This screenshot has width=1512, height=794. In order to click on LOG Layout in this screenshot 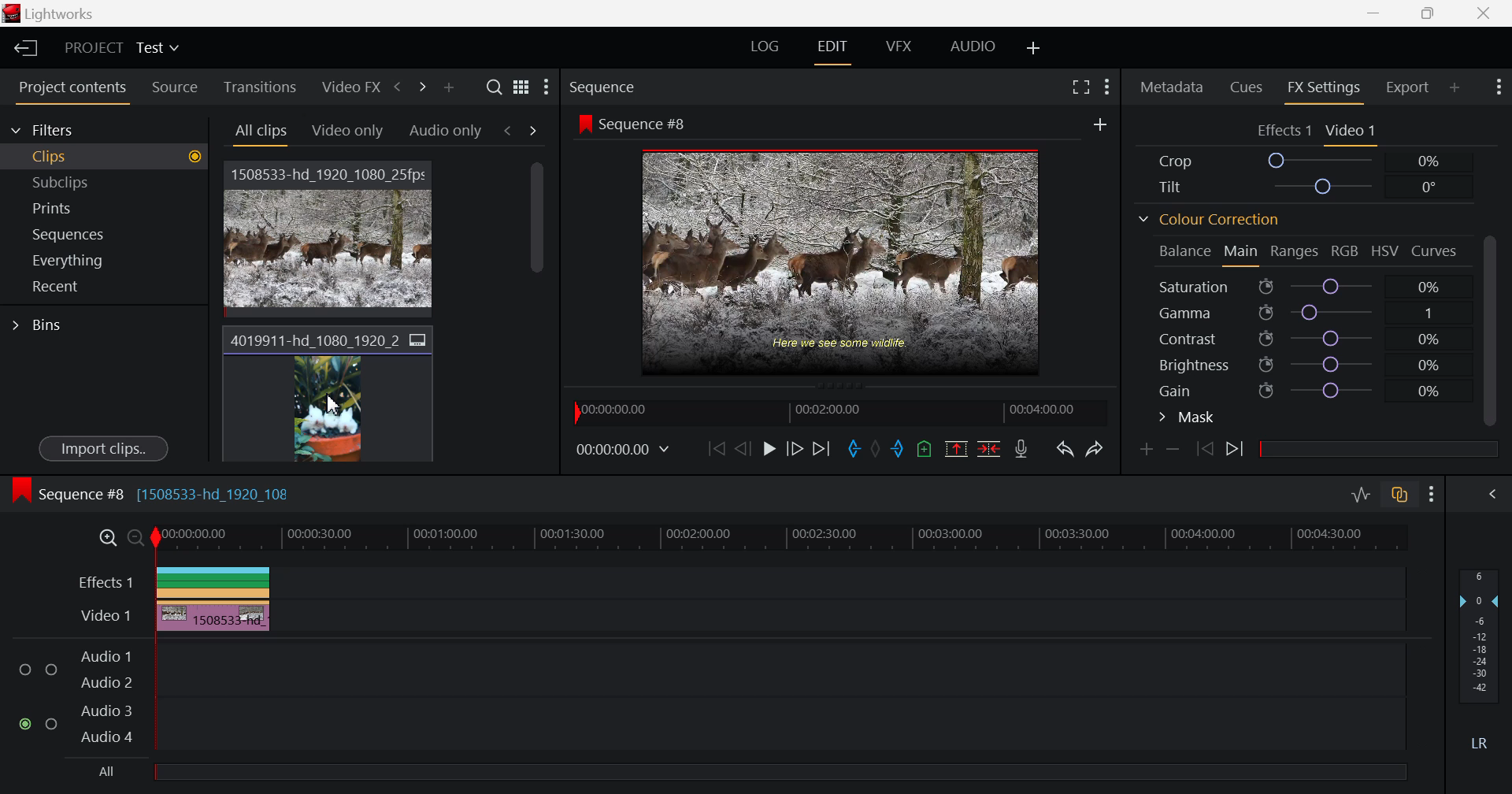, I will do `click(767, 46)`.